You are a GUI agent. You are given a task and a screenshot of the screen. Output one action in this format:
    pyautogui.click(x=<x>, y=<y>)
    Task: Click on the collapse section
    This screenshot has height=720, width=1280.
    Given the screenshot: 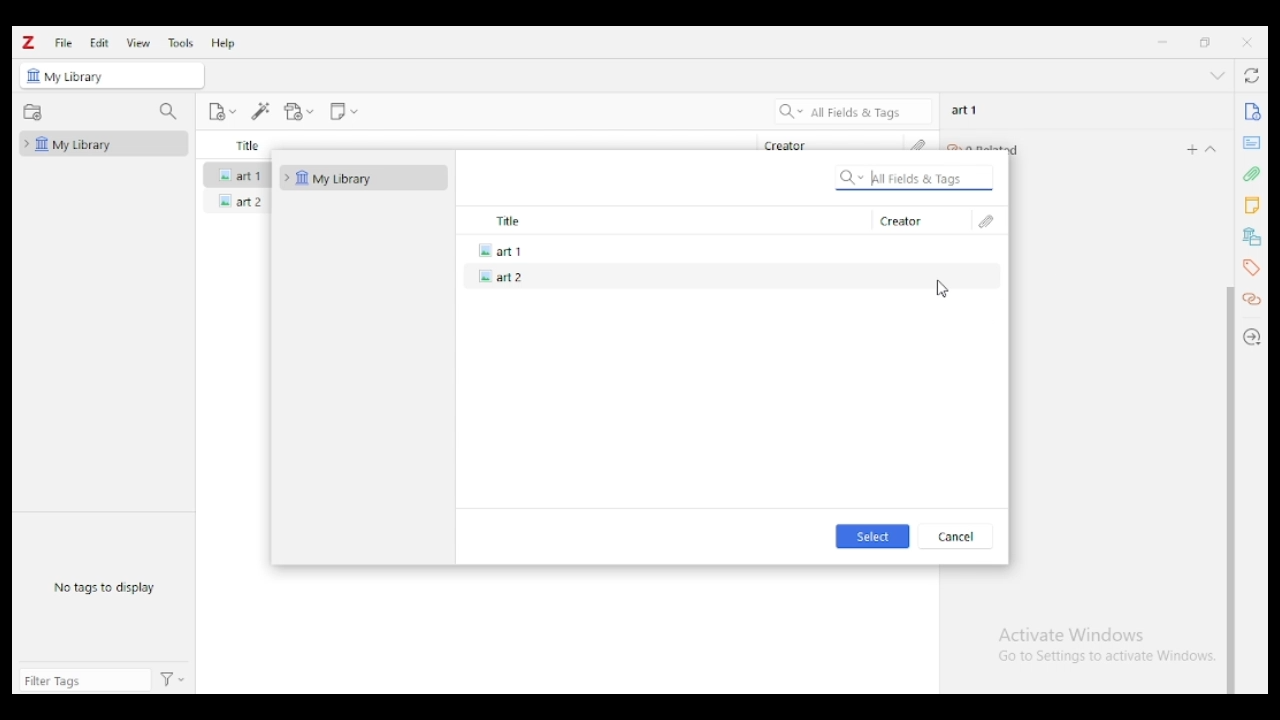 What is the action you would take?
    pyautogui.click(x=1212, y=149)
    